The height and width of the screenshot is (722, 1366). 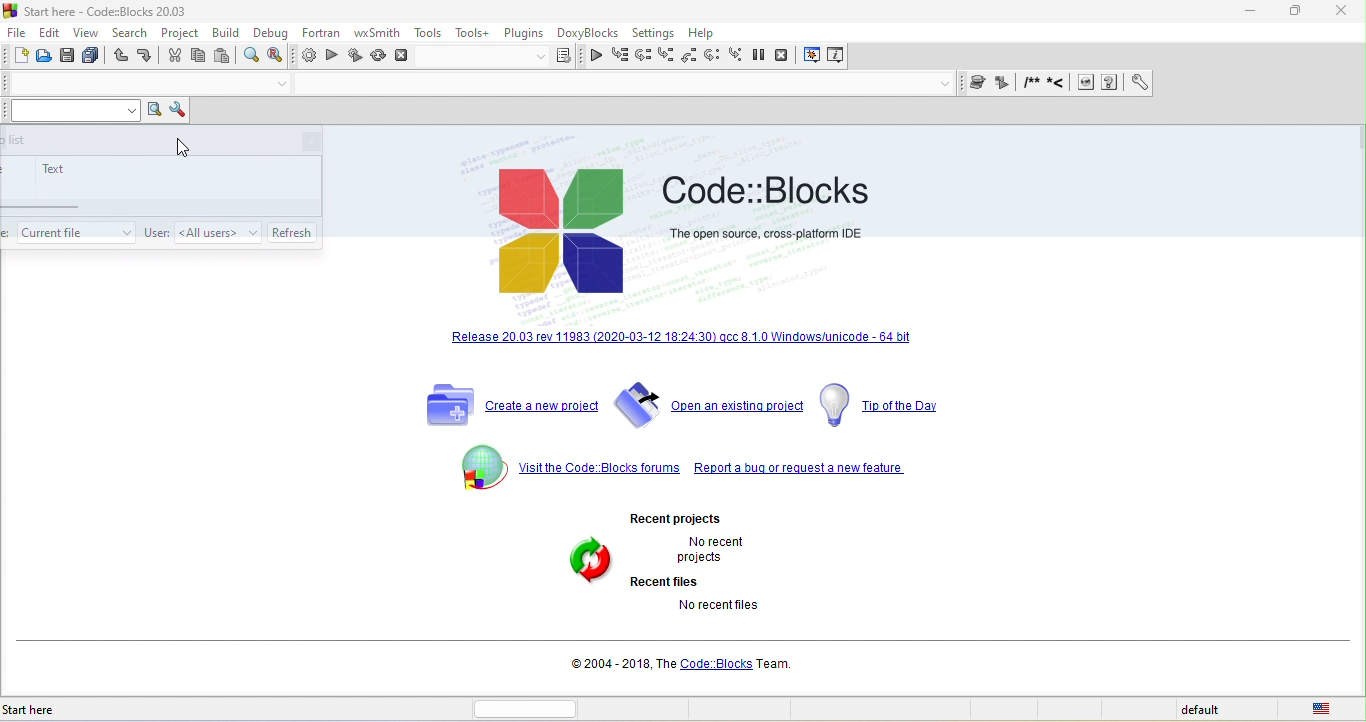 I want to click on extract documentation, so click(x=1004, y=84).